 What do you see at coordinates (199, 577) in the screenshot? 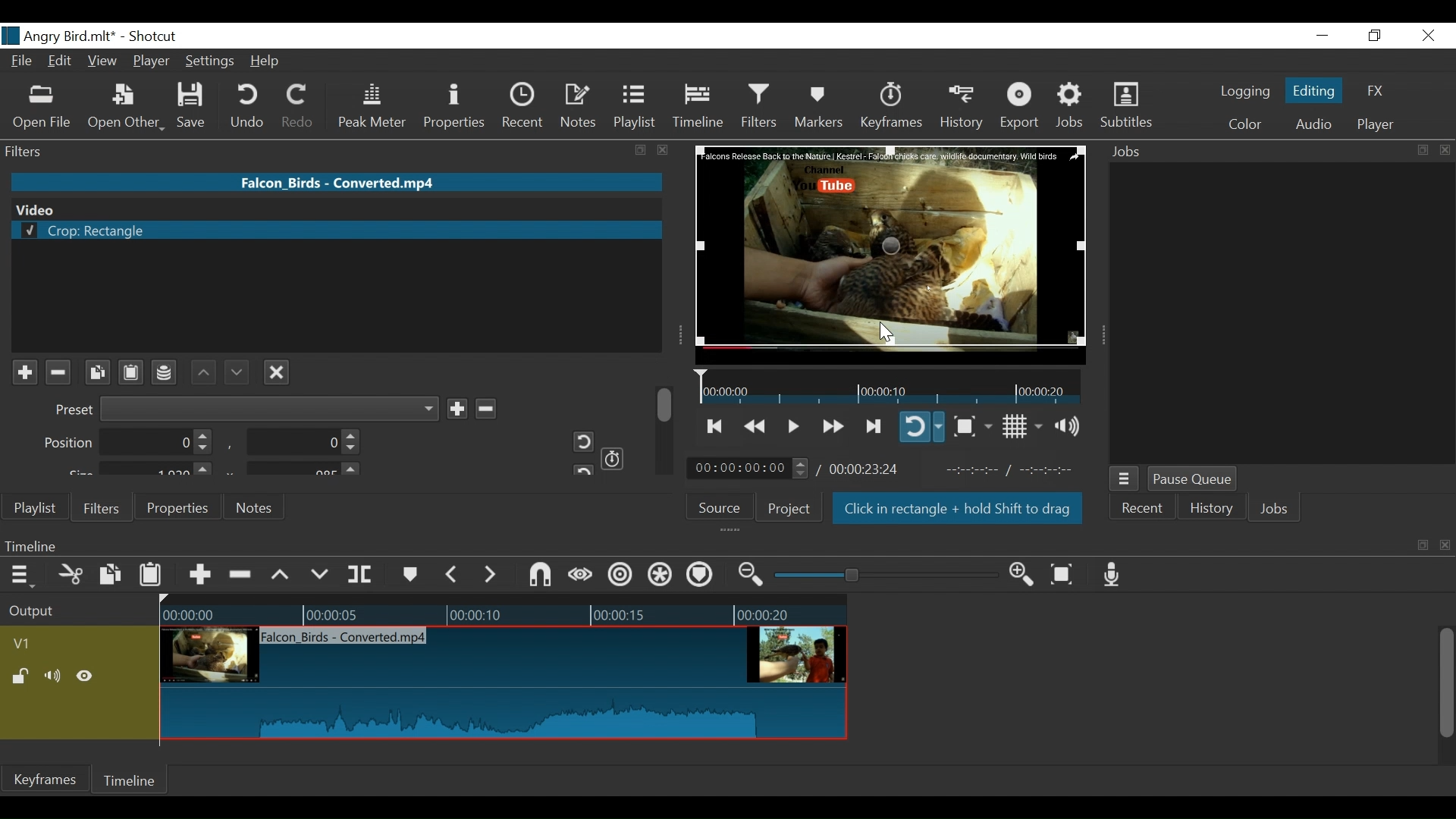
I see `Append` at bounding box center [199, 577].